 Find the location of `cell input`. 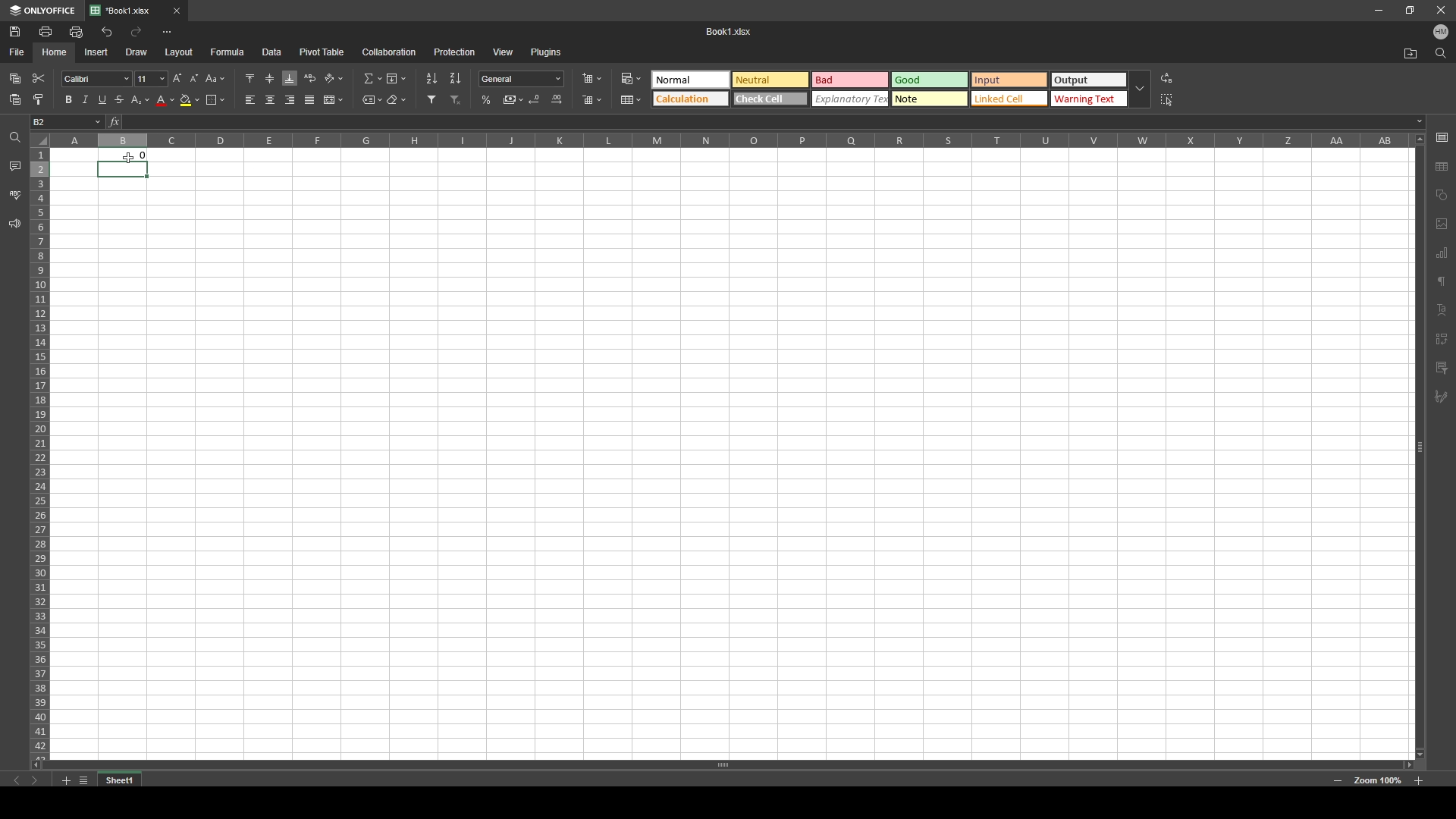

cell input is located at coordinates (767, 122).